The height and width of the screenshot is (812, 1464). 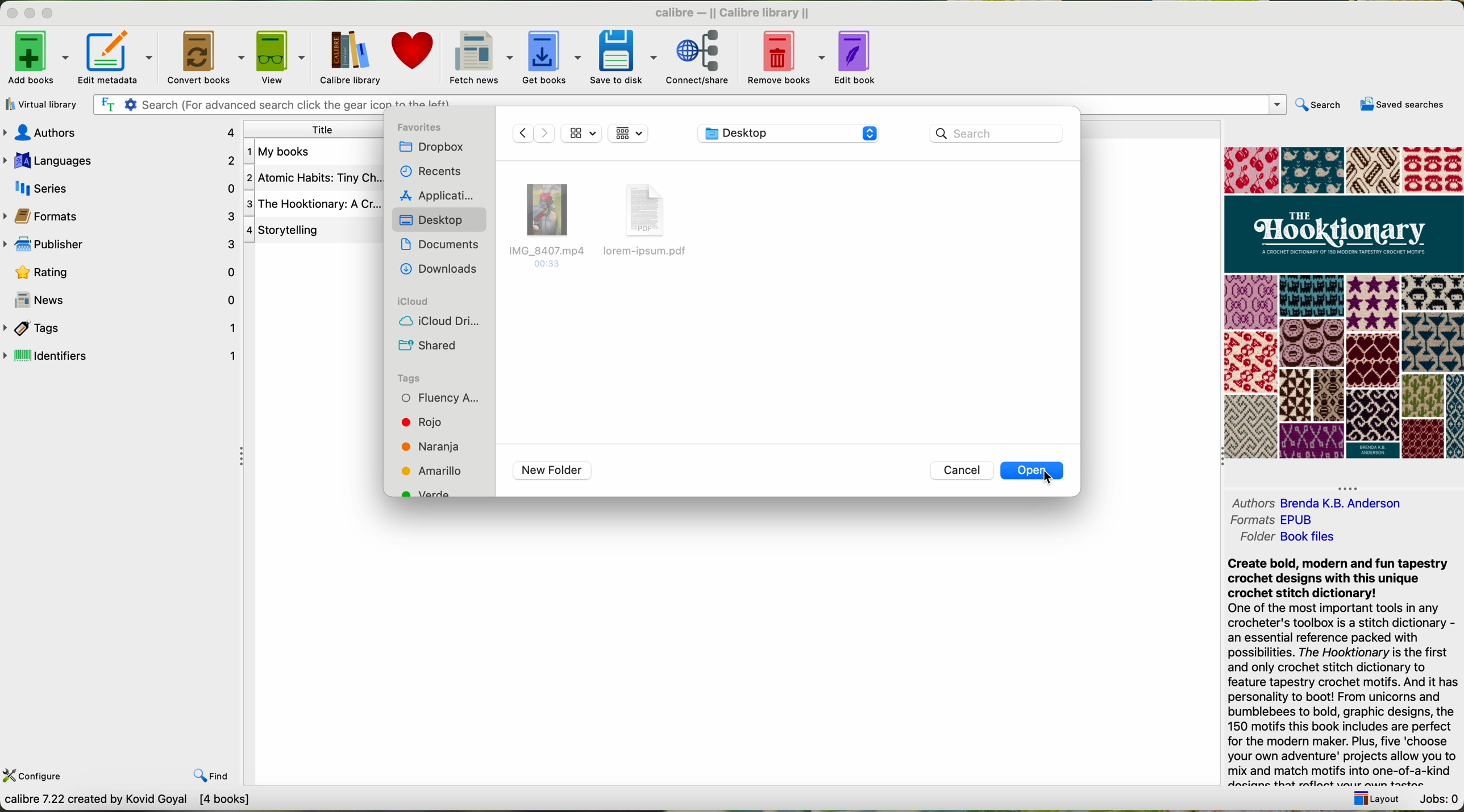 I want to click on Calibre library, so click(x=348, y=58).